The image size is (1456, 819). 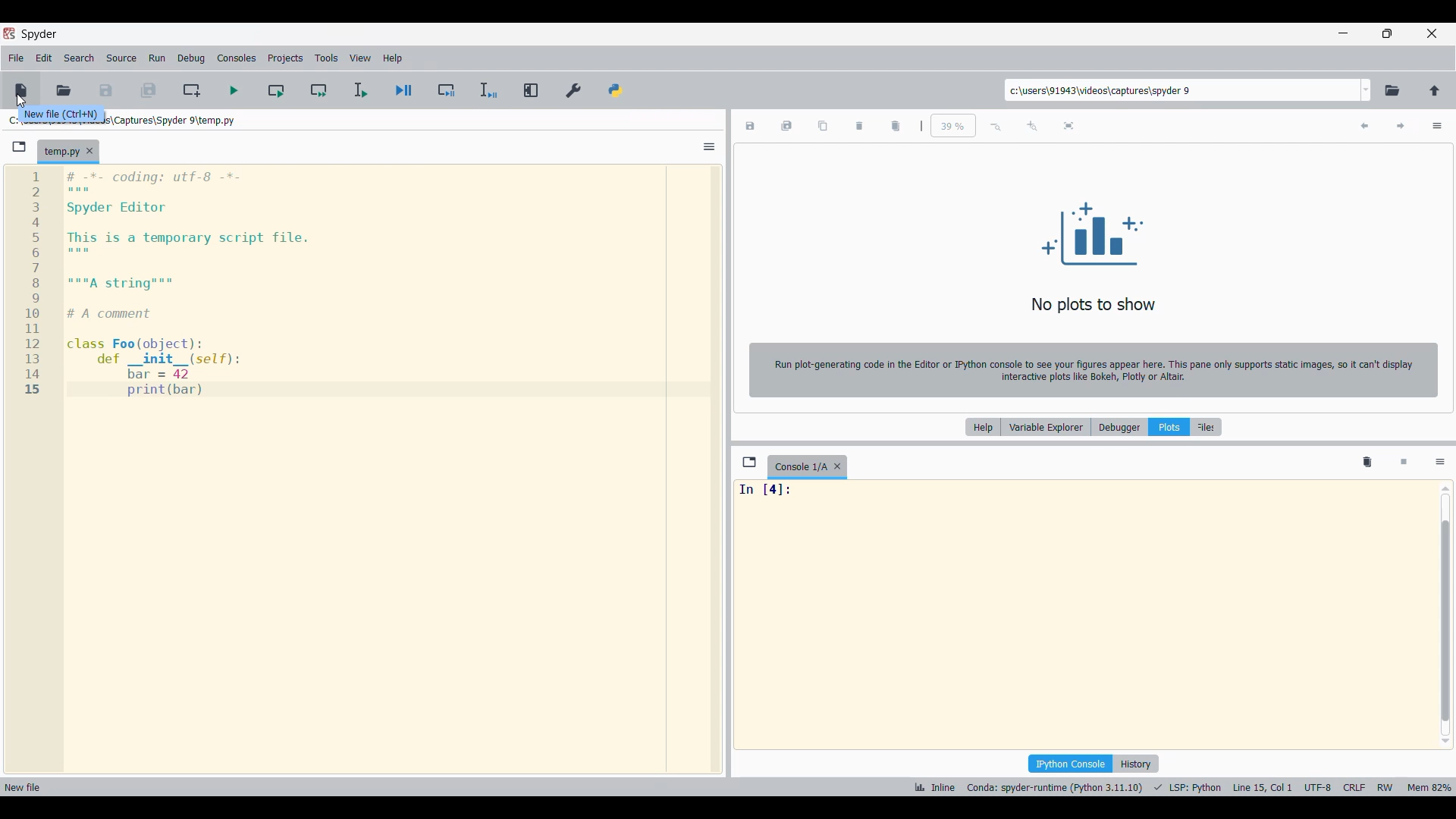 What do you see at coordinates (149, 91) in the screenshot?
I see `Save all` at bounding box center [149, 91].